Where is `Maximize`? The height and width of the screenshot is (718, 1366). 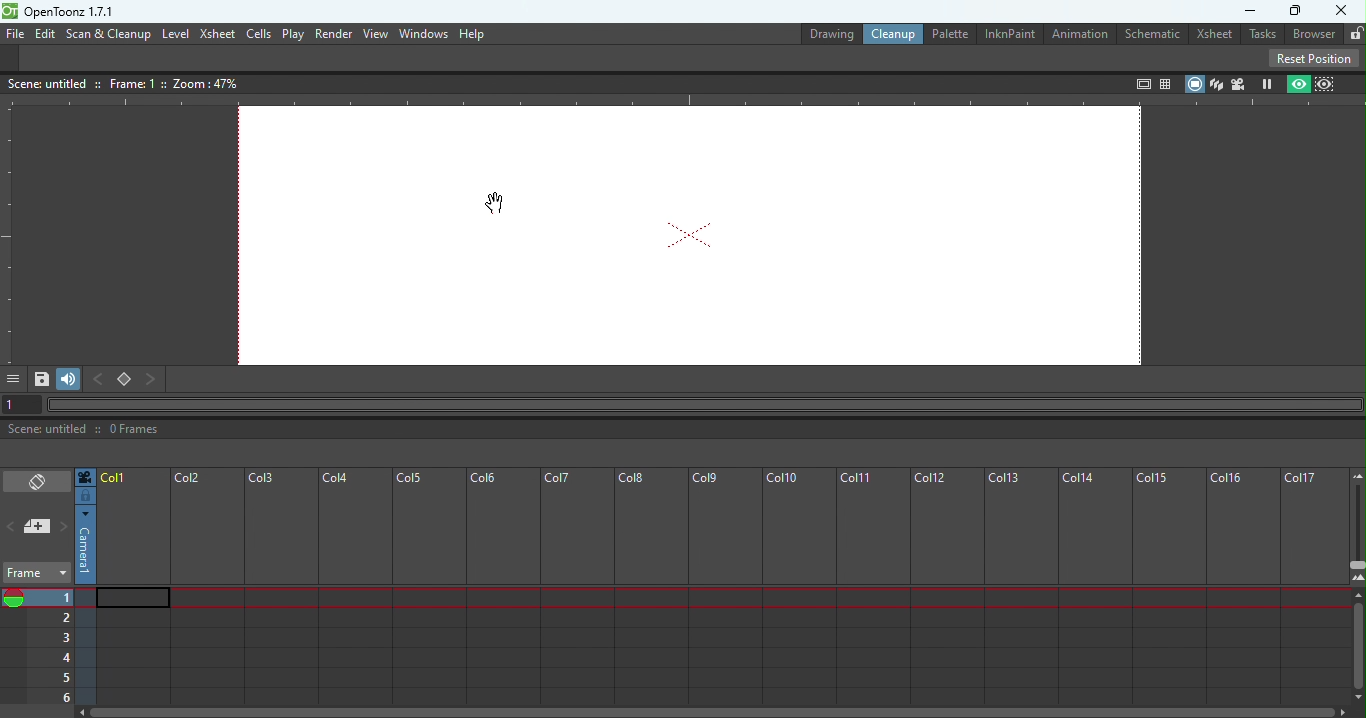
Maximize is located at coordinates (1296, 11).